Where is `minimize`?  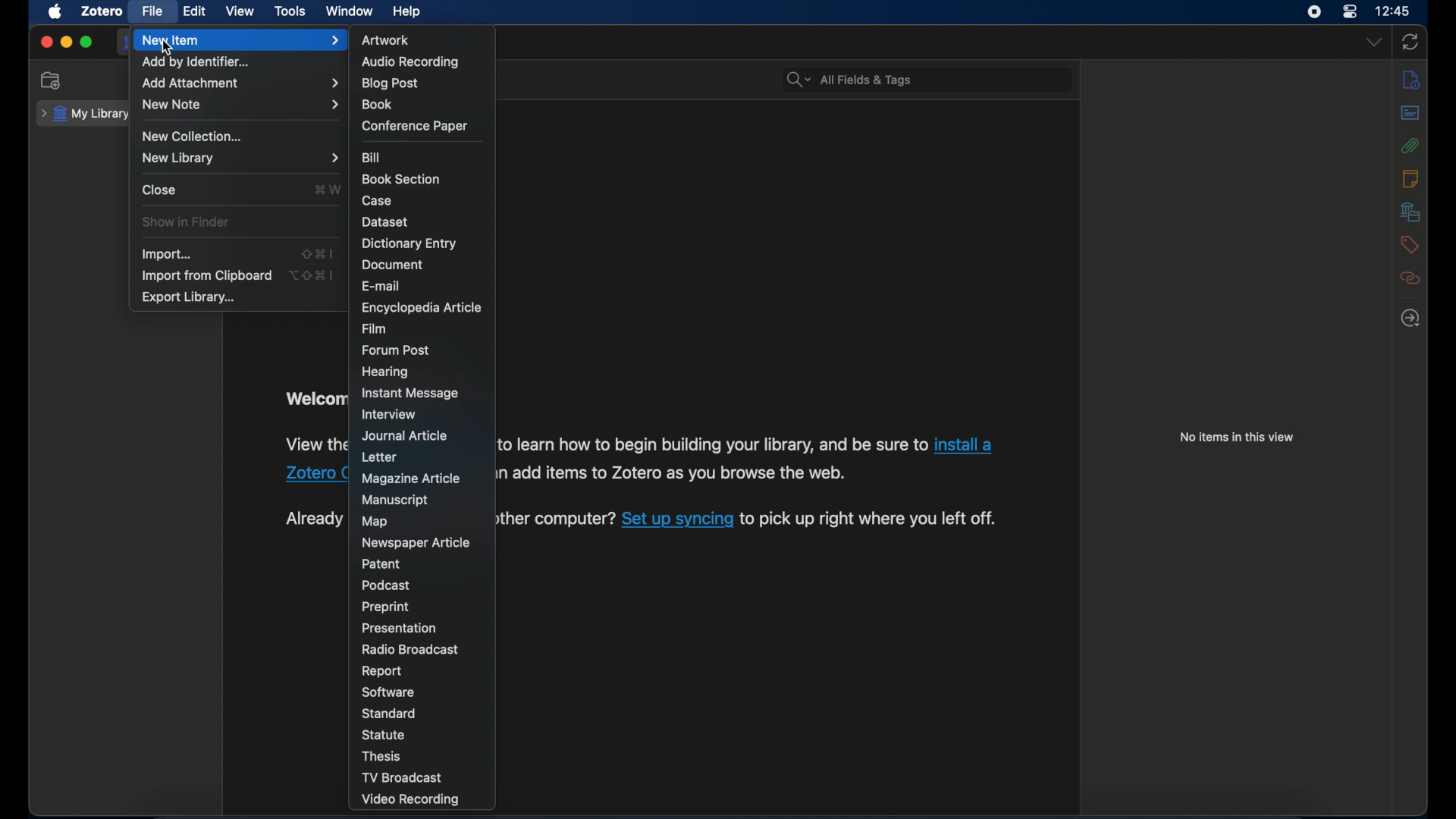 minimize is located at coordinates (67, 42).